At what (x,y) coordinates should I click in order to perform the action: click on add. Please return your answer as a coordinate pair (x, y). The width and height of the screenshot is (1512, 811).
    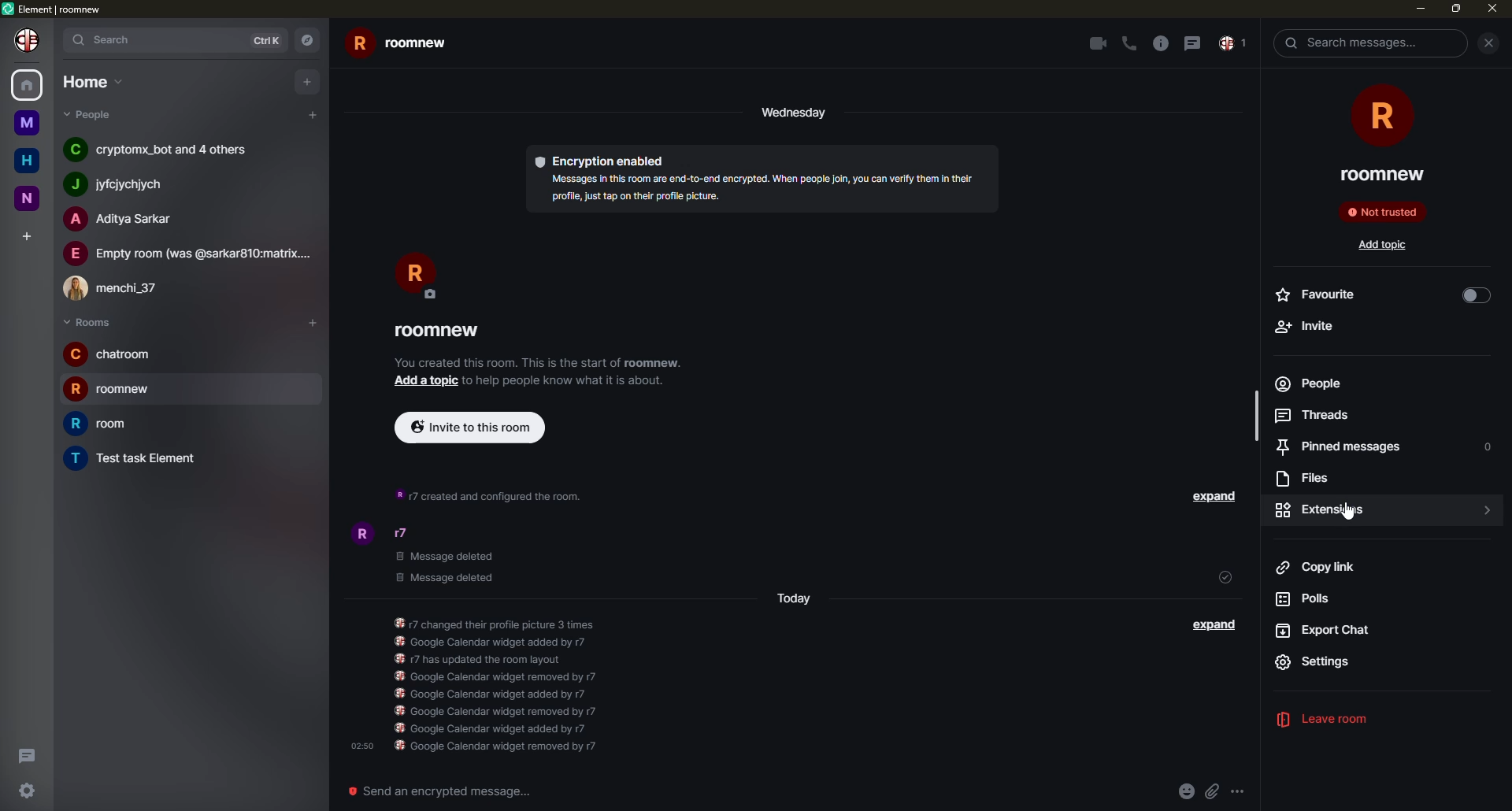
    Looking at the image, I should click on (308, 81).